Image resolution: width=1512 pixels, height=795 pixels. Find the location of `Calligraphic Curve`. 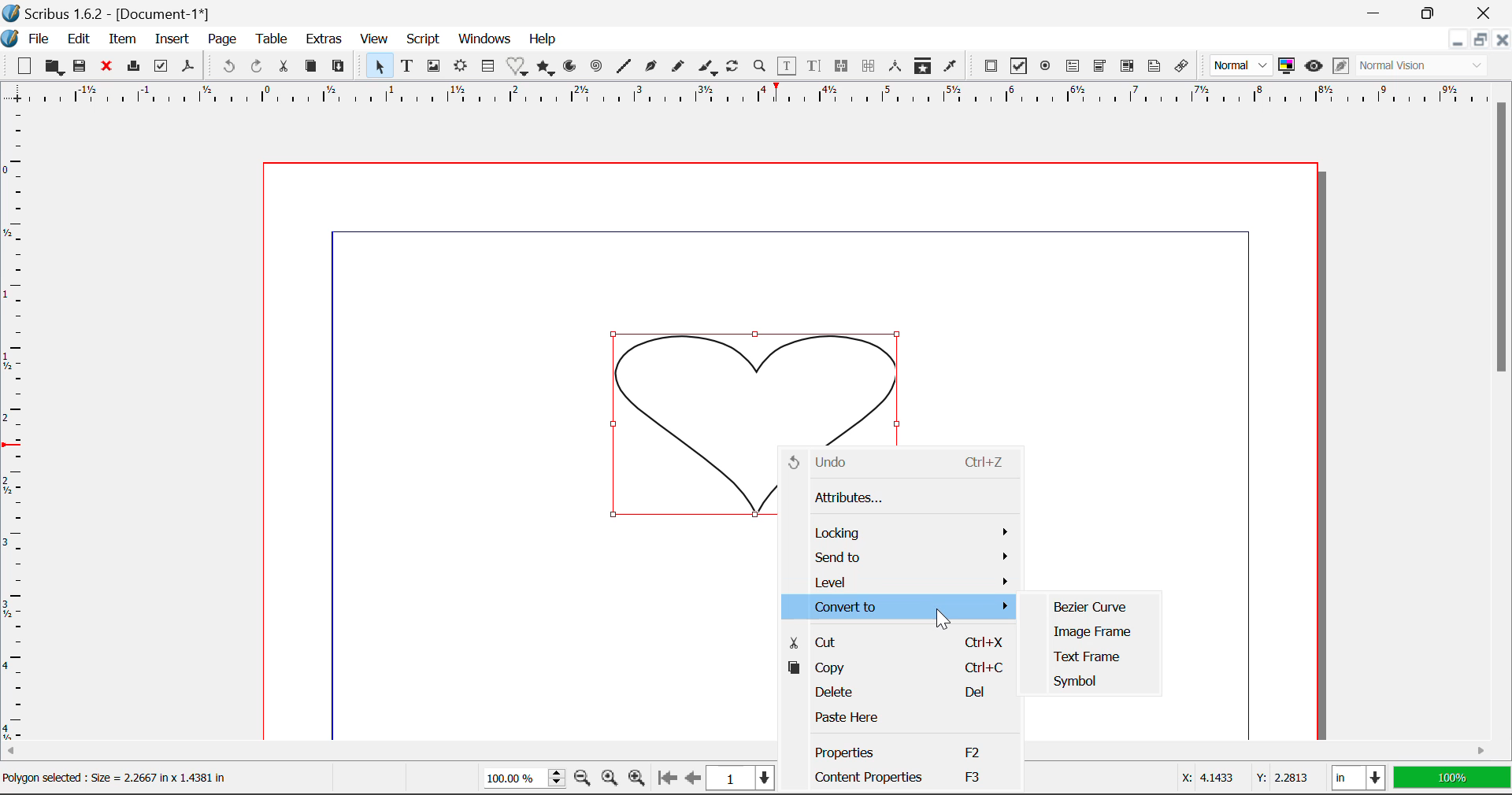

Calligraphic Curve is located at coordinates (708, 69).